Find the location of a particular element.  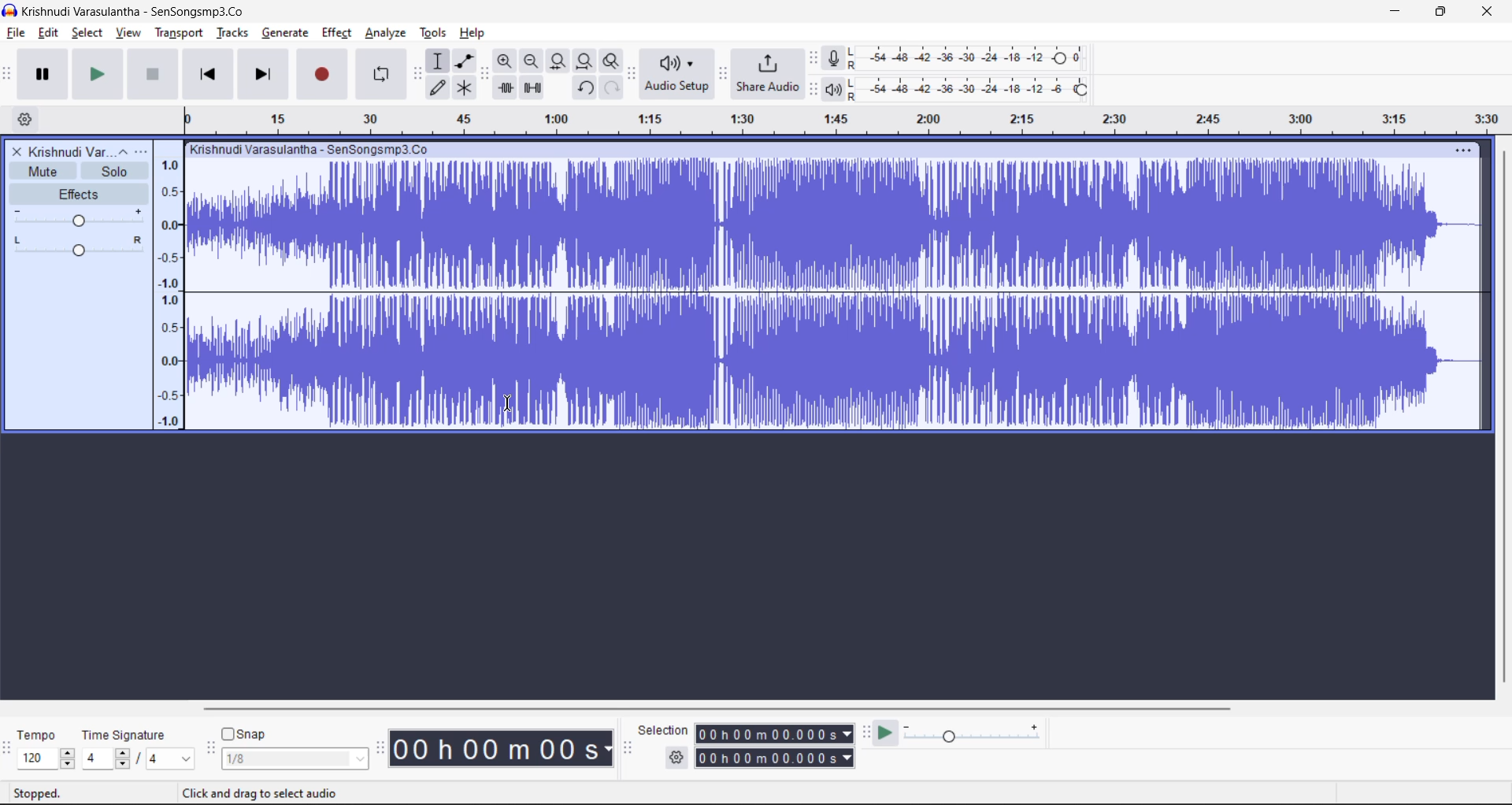

amplitude scale is located at coordinates (836, 116).